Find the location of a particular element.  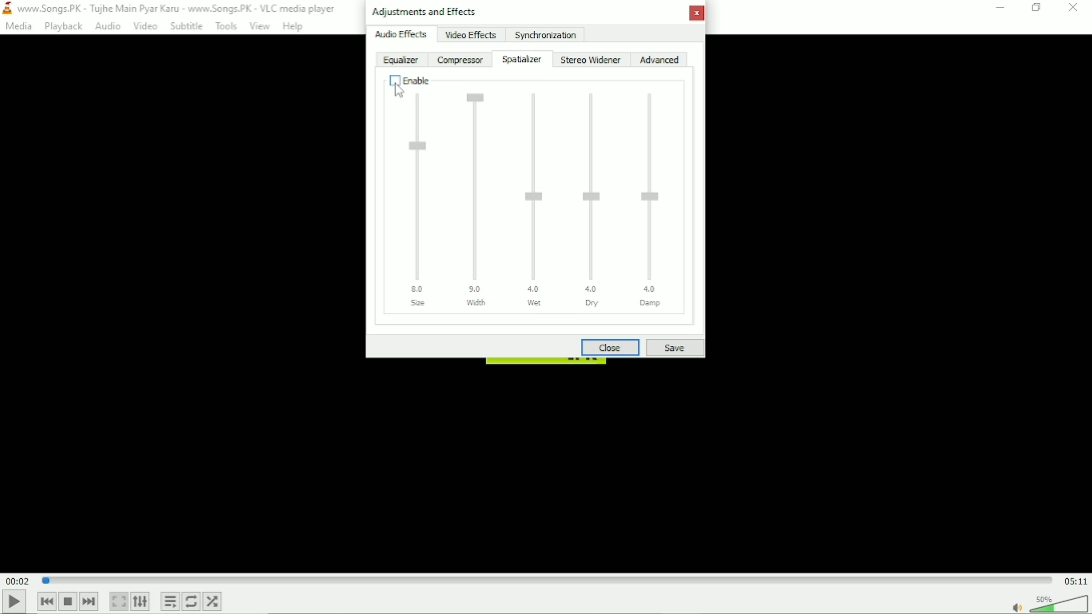

Audio effects is located at coordinates (401, 34).